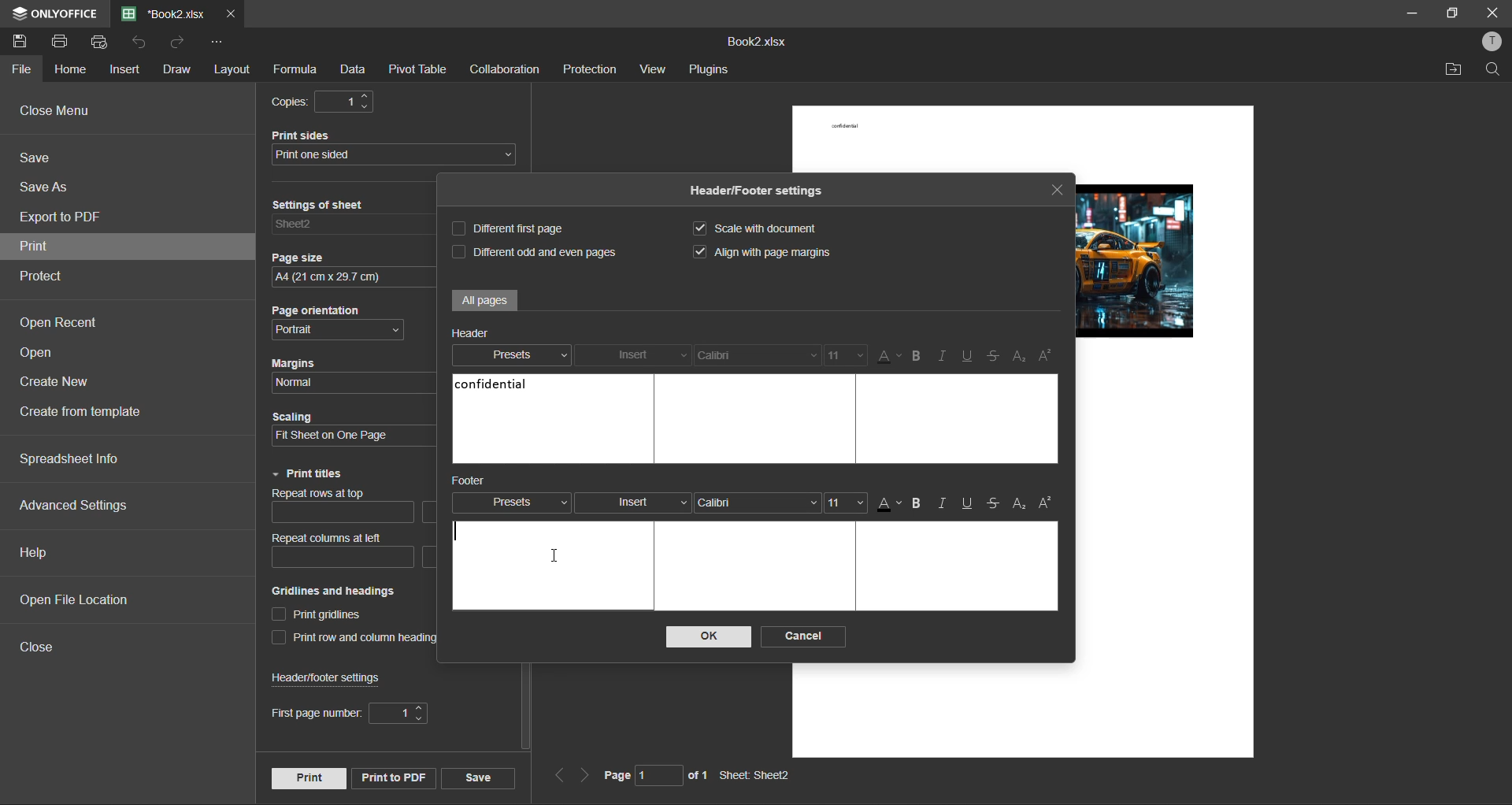 This screenshot has height=805, width=1512. What do you see at coordinates (890, 504) in the screenshot?
I see `font color` at bounding box center [890, 504].